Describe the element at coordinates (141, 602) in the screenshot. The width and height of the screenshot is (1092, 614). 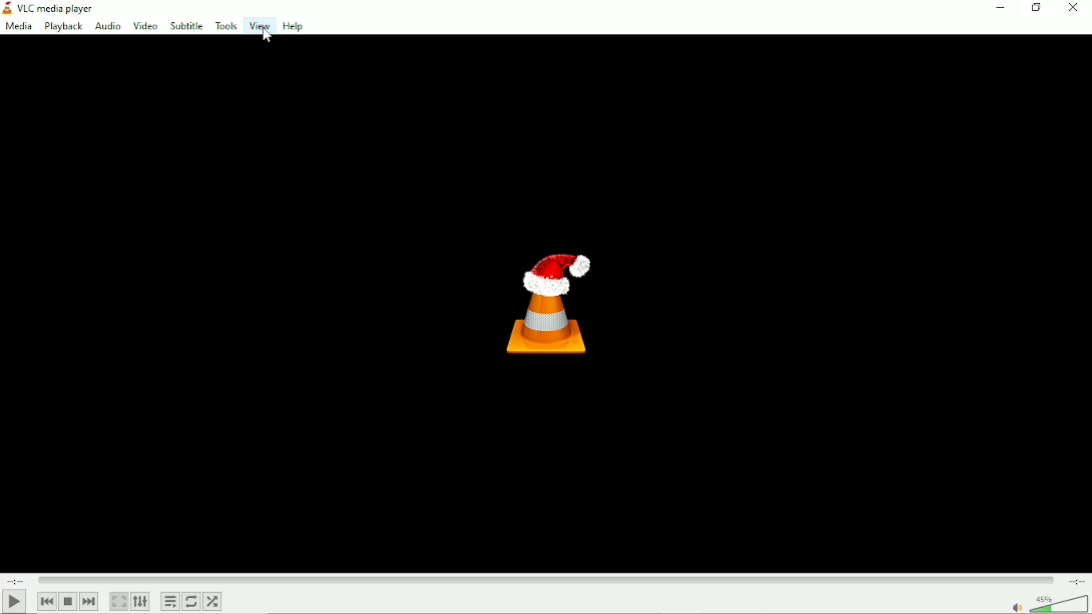
I see `show extended settings` at that location.